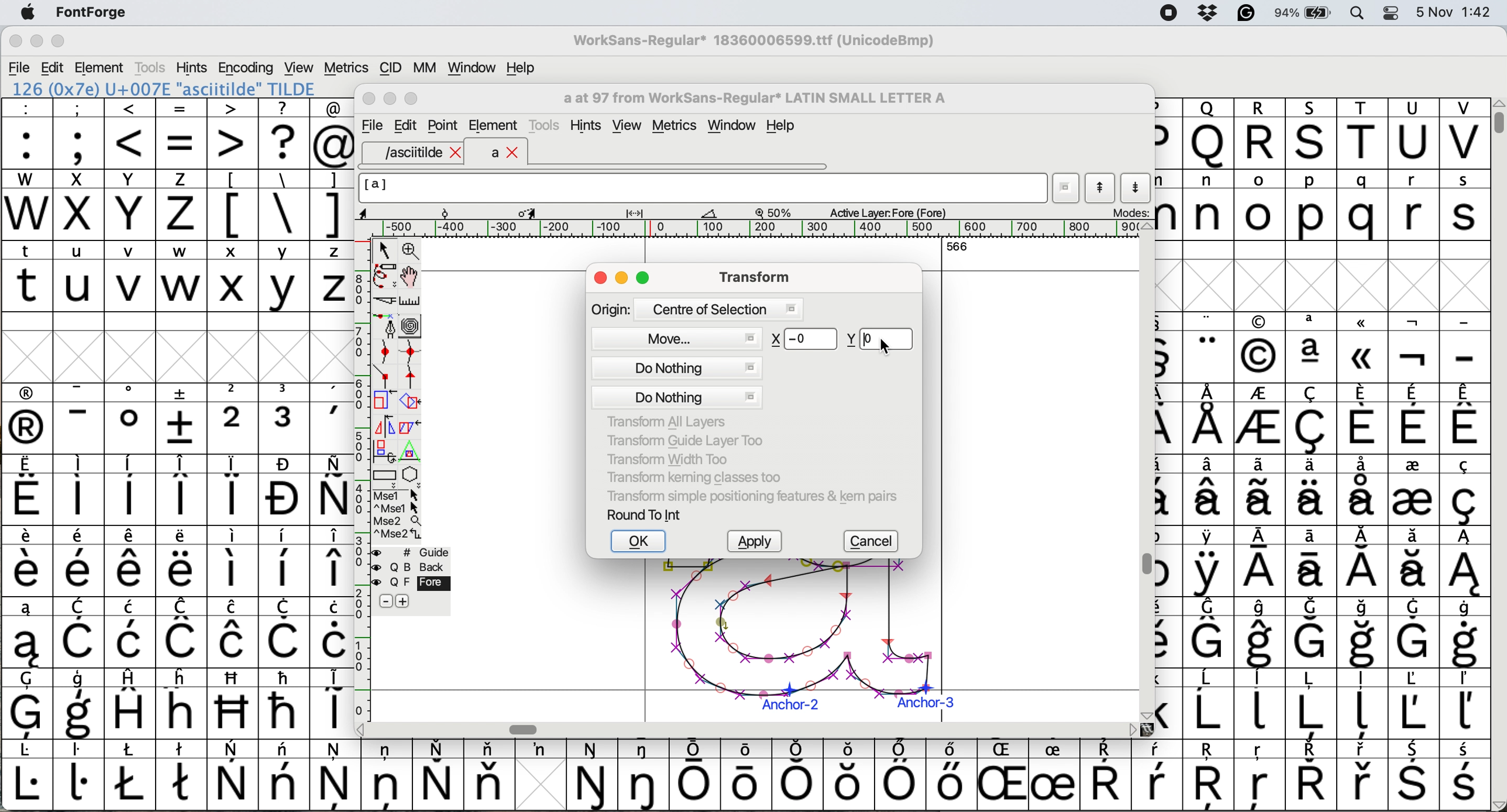 The image size is (1507, 812). What do you see at coordinates (694, 477) in the screenshot?
I see `transform kerning classes too` at bounding box center [694, 477].